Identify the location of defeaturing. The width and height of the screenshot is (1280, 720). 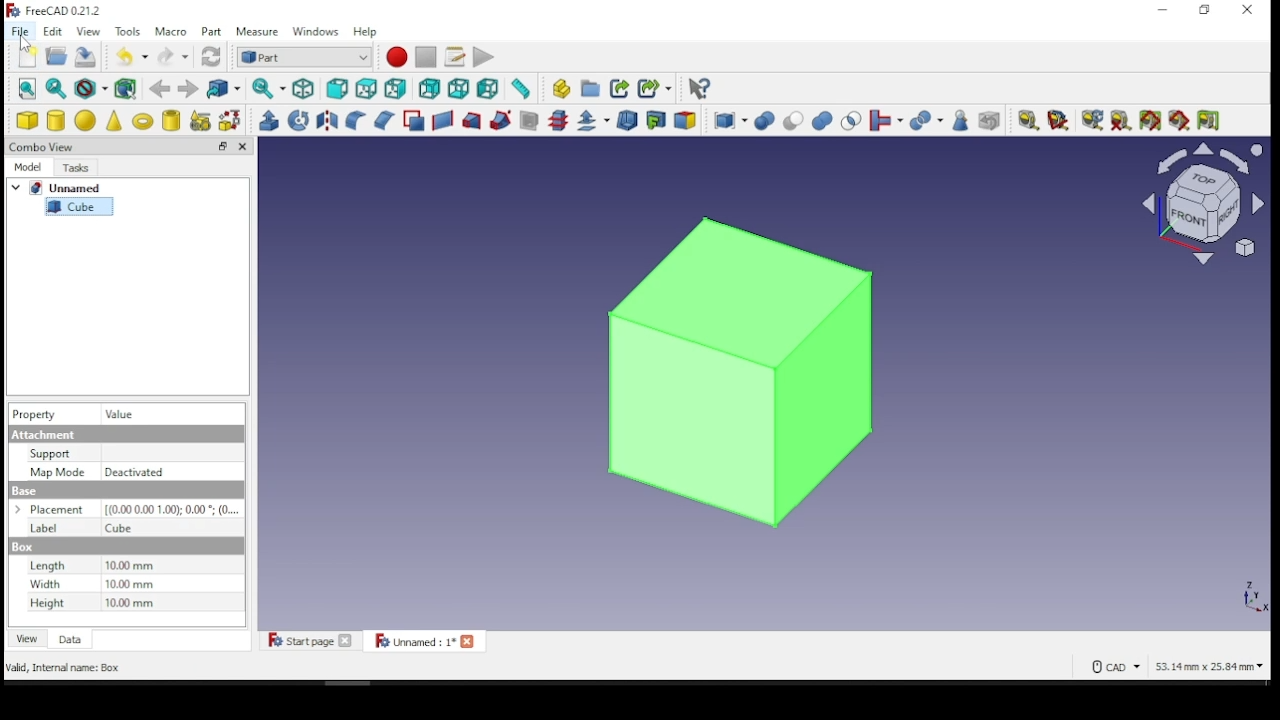
(990, 121).